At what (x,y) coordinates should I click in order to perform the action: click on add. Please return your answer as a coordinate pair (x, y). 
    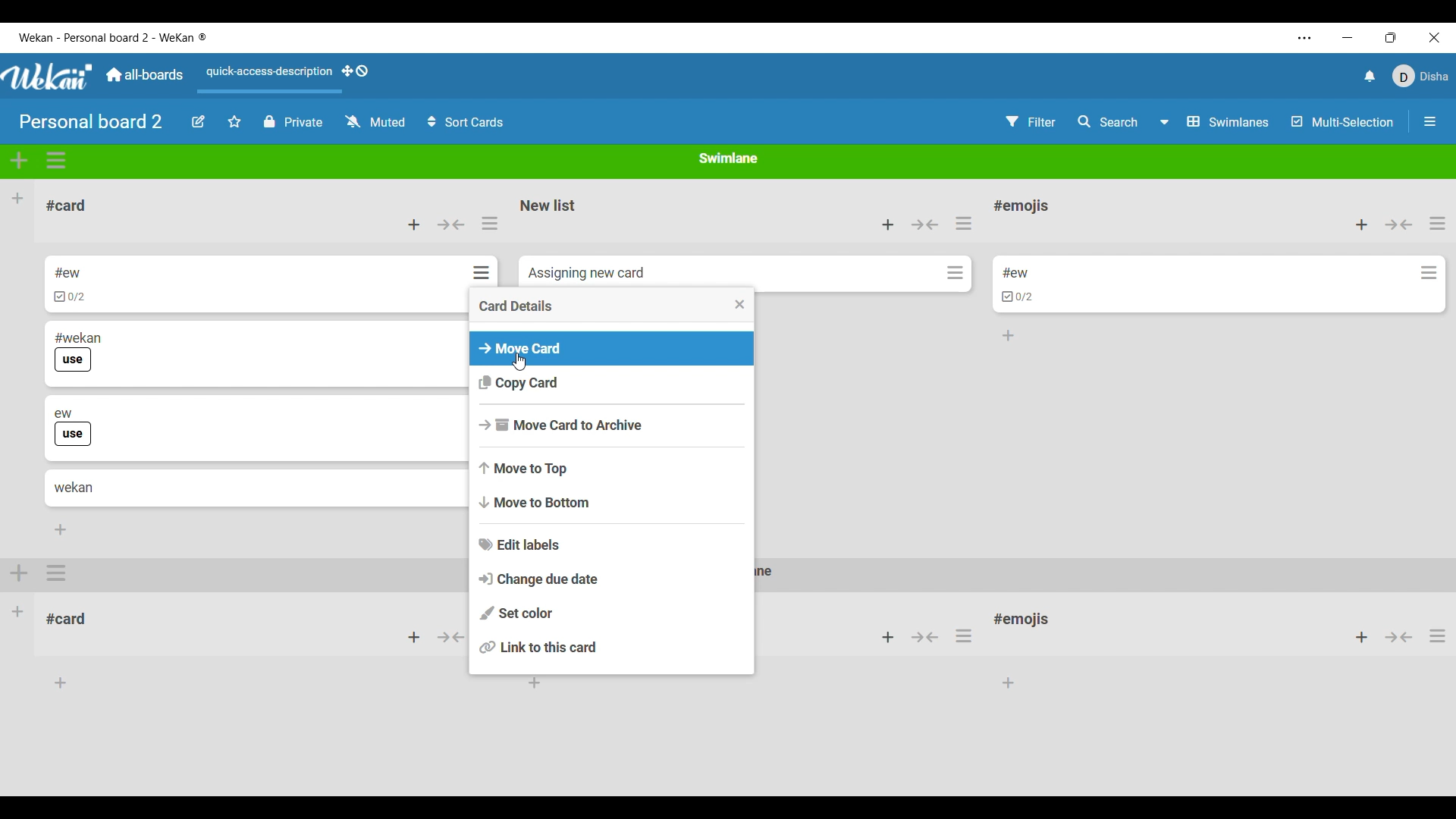
    Looking at the image, I should click on (1354, 638).